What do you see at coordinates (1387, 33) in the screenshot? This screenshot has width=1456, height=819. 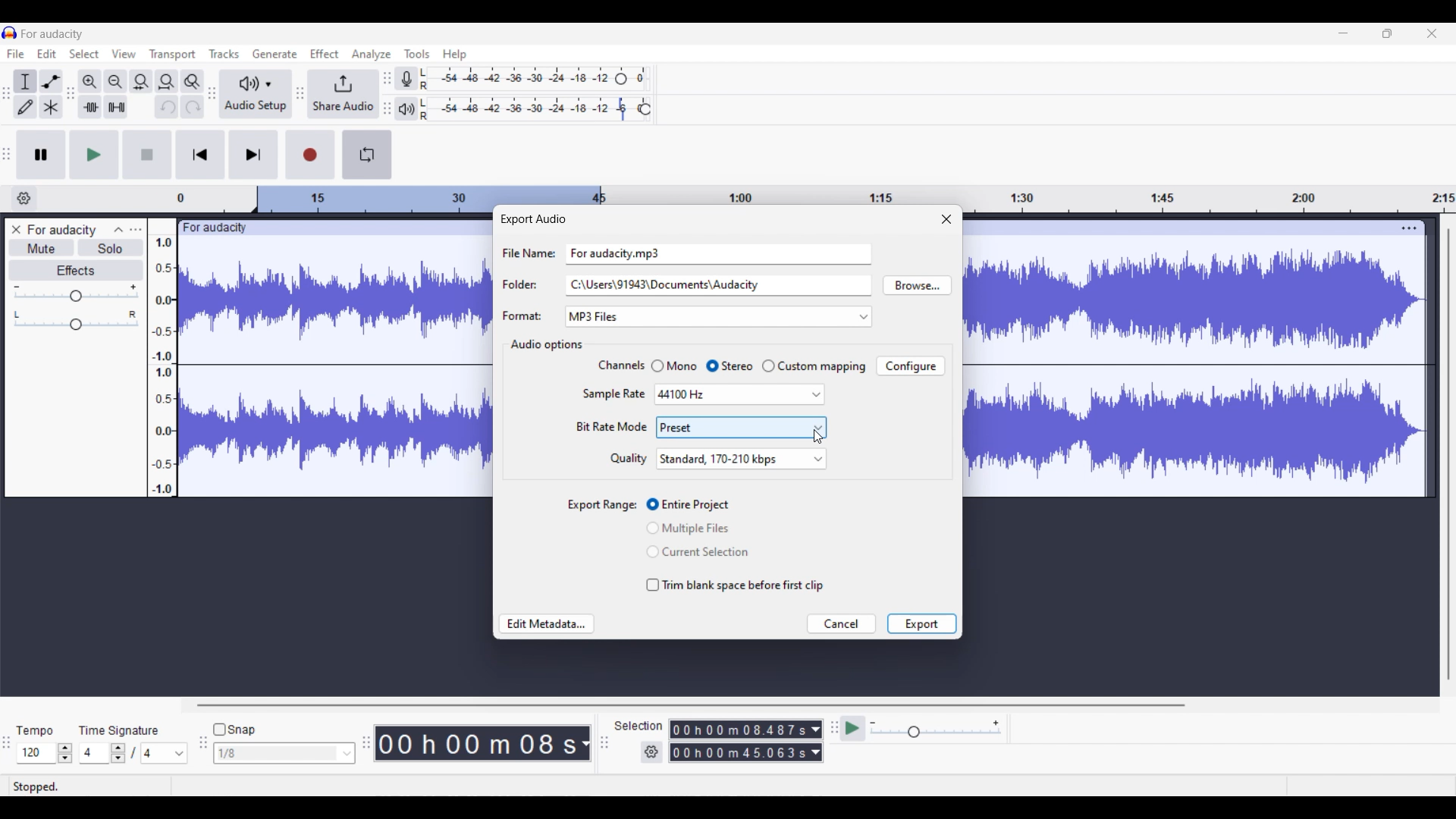 I see `Show in smaller tab` at bounding box center [1387, 33].